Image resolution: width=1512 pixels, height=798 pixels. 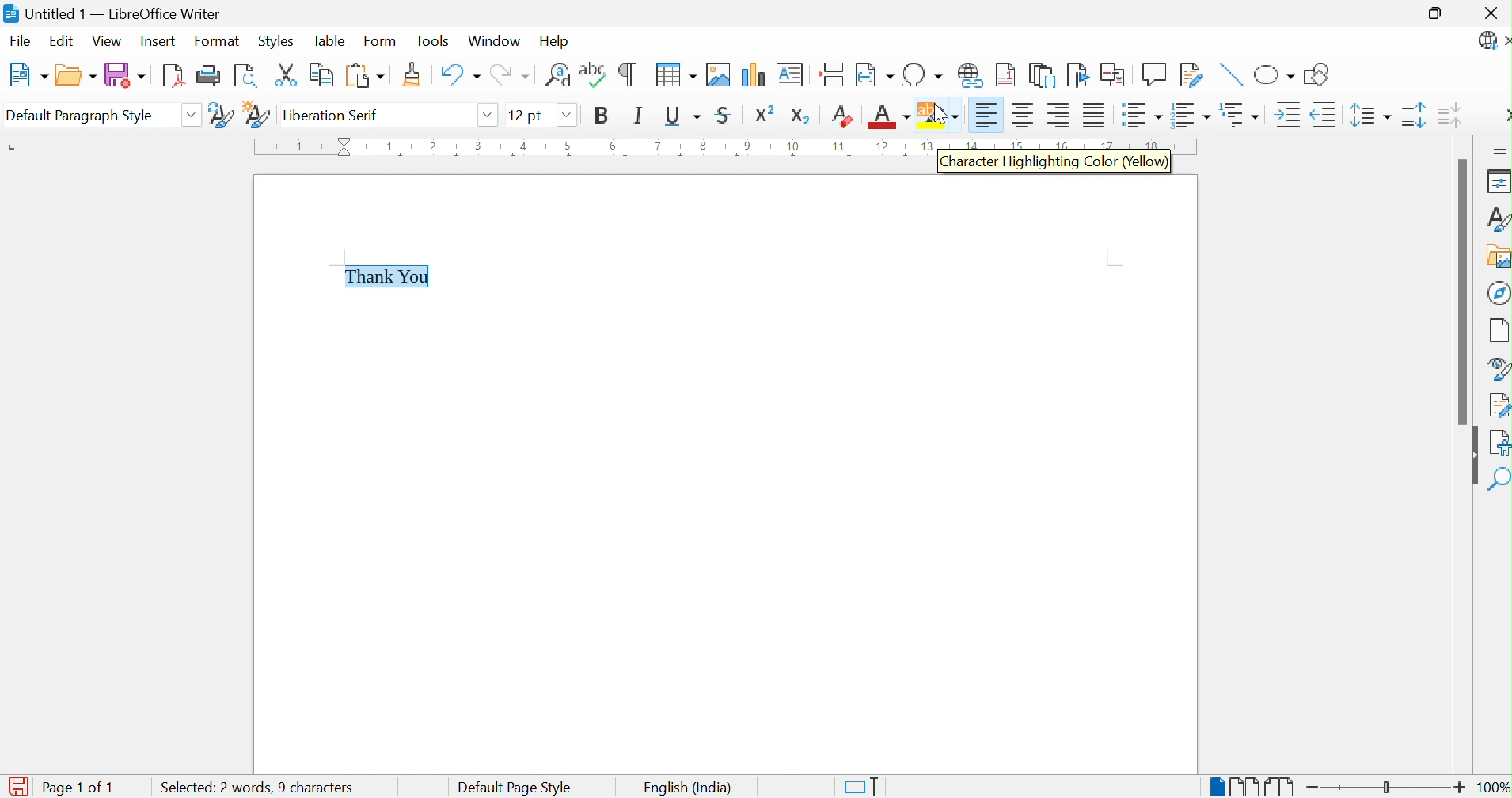 What do you see at coordinates (986, 114) in the screenshot?
I see `Align Left` at bounding box center [986, 114].